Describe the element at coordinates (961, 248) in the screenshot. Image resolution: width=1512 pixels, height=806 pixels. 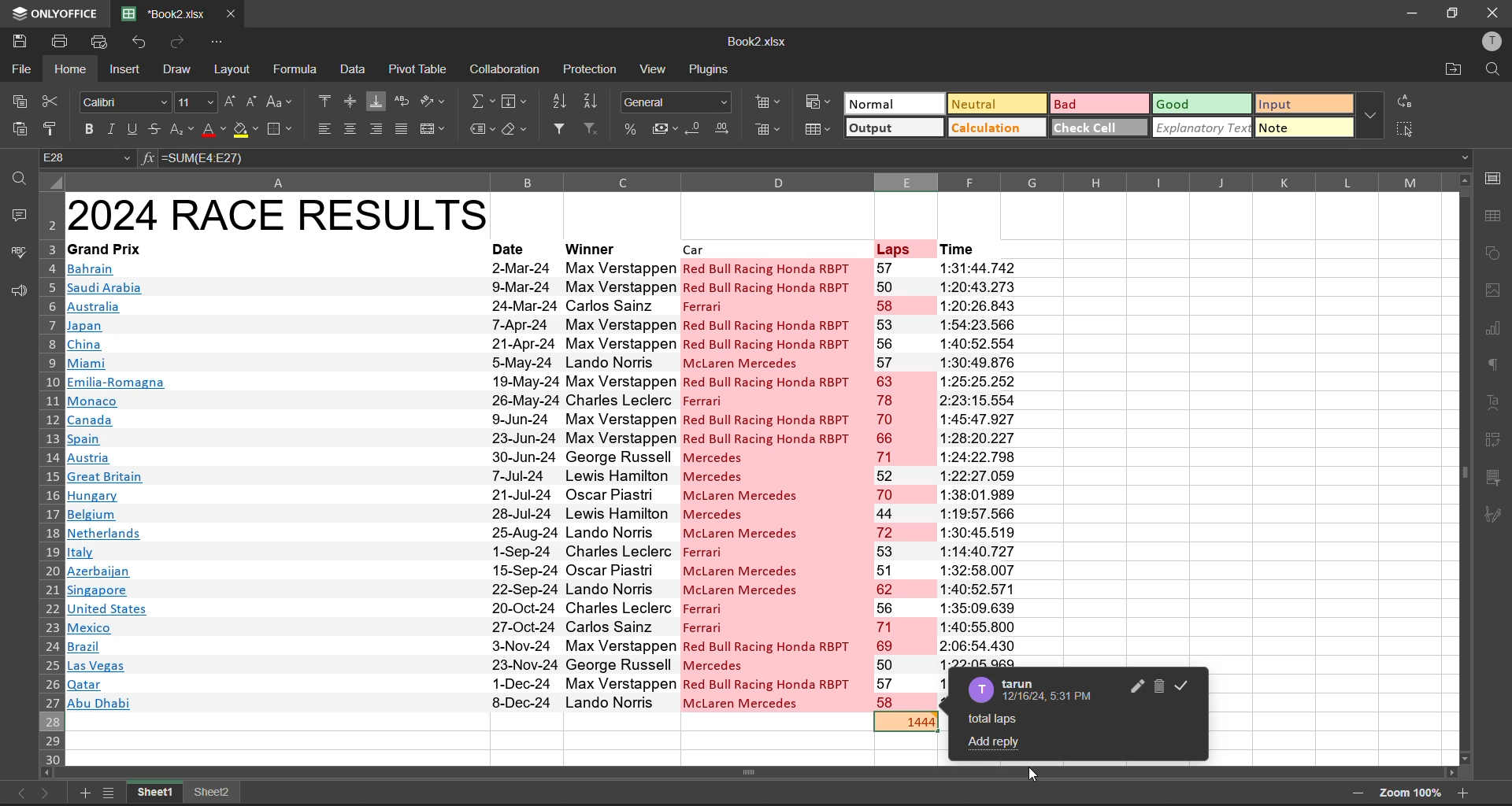
I see `time` at that location.